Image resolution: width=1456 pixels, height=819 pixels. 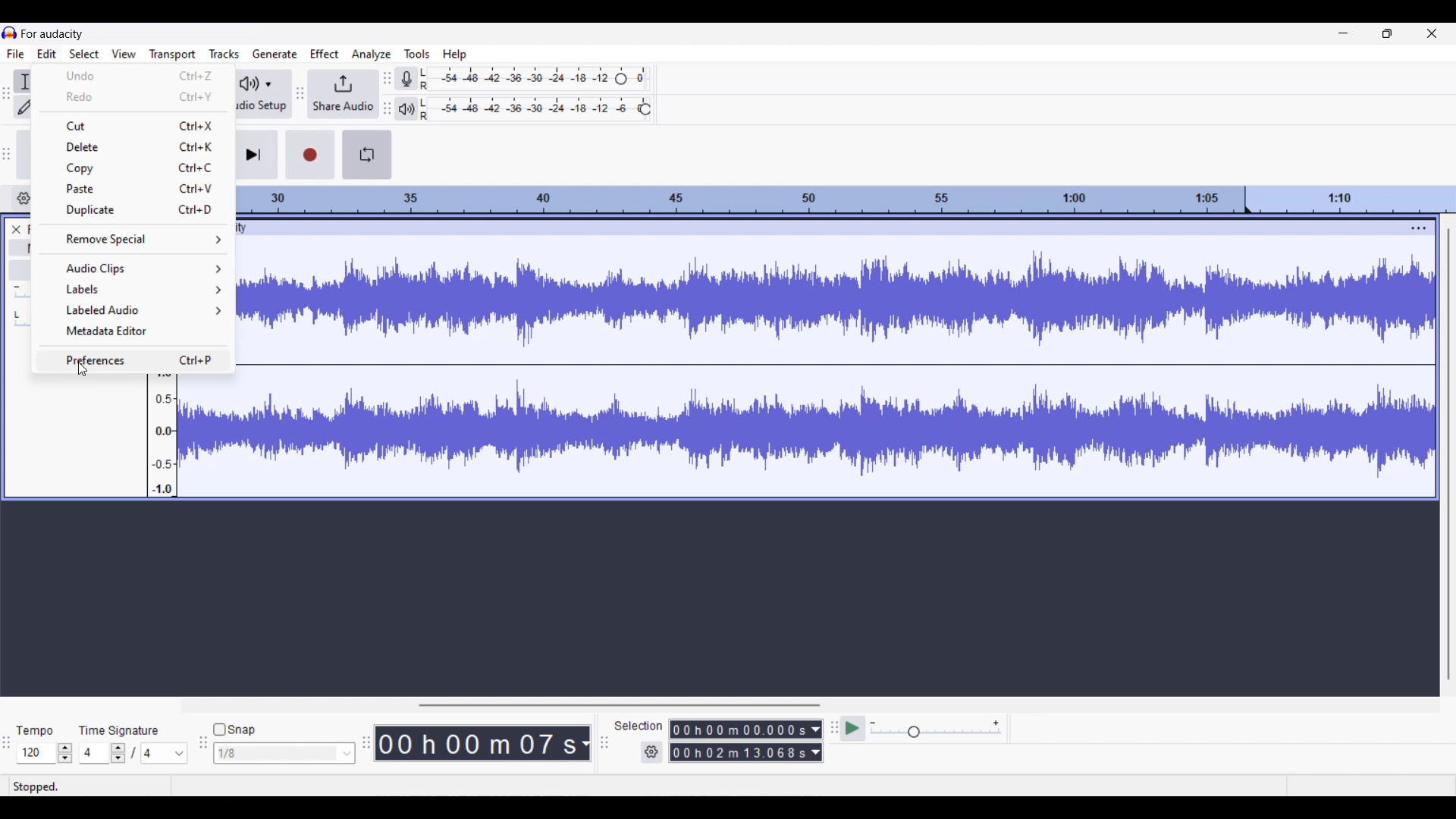 I want to click on Preferences, so click(x=134, y=359).